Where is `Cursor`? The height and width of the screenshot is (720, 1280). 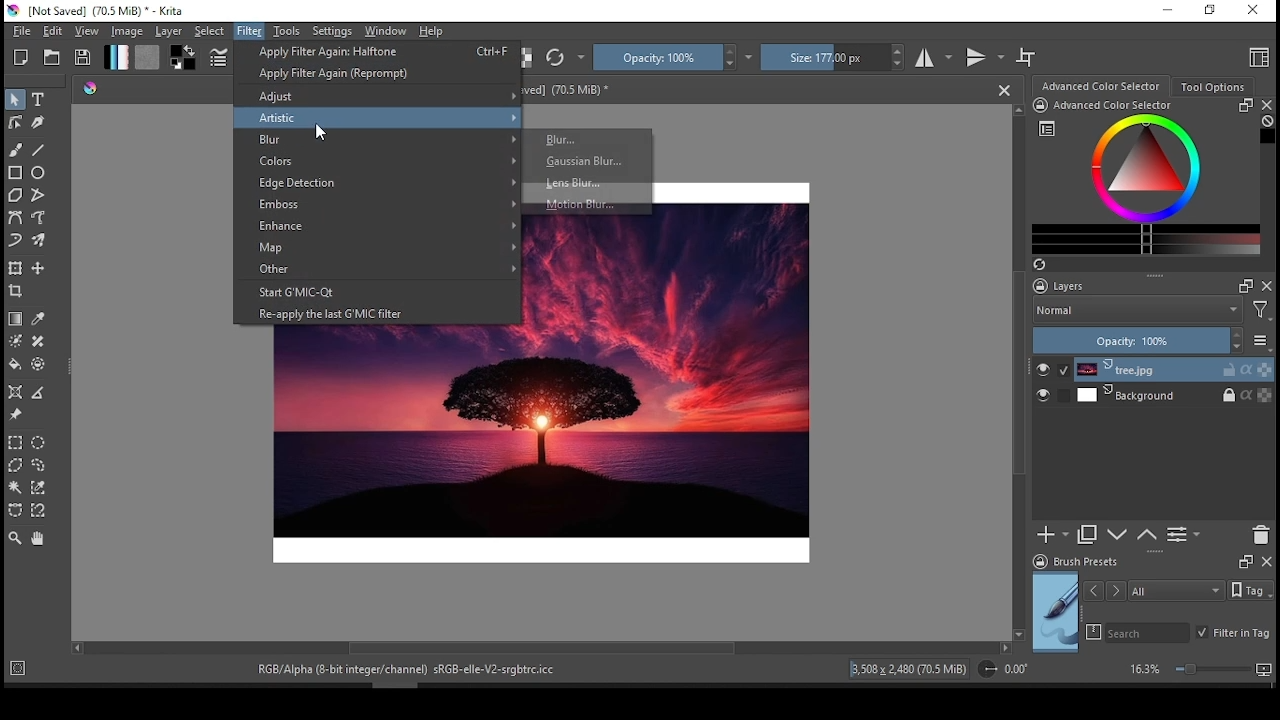
Cursor is located at coordinates (322, 133).